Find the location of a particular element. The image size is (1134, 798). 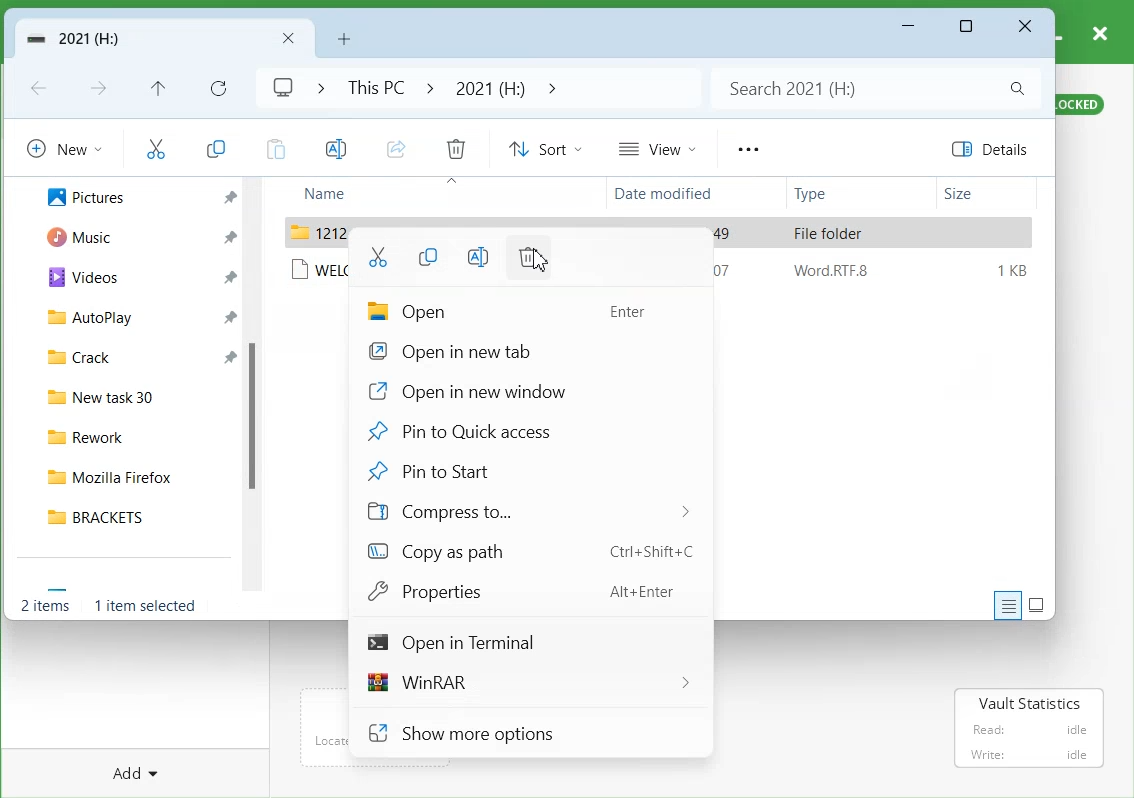

Sort is located at coordinates (545, 148).